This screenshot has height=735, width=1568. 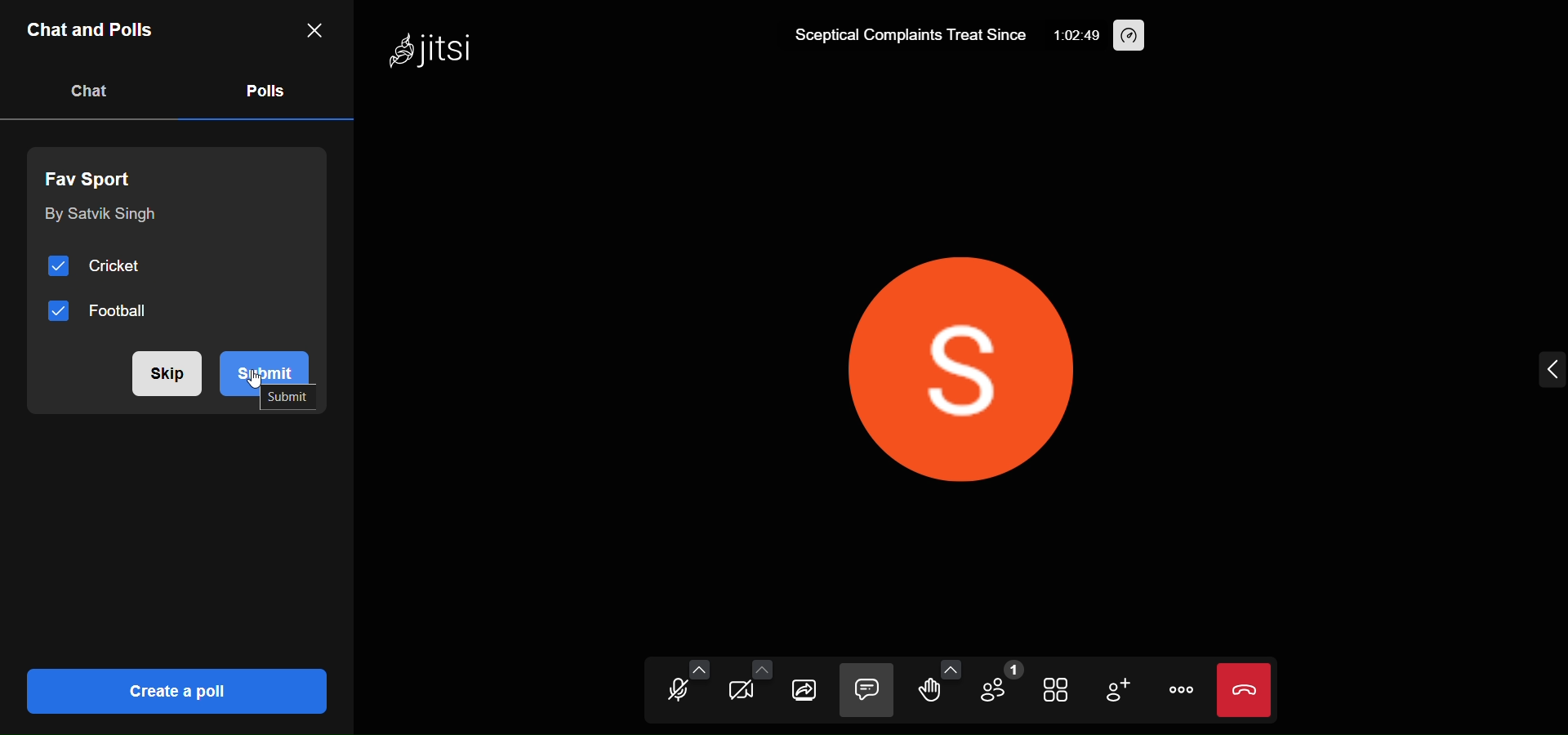 I want to click on fav sport, so click(x=96, y=176).